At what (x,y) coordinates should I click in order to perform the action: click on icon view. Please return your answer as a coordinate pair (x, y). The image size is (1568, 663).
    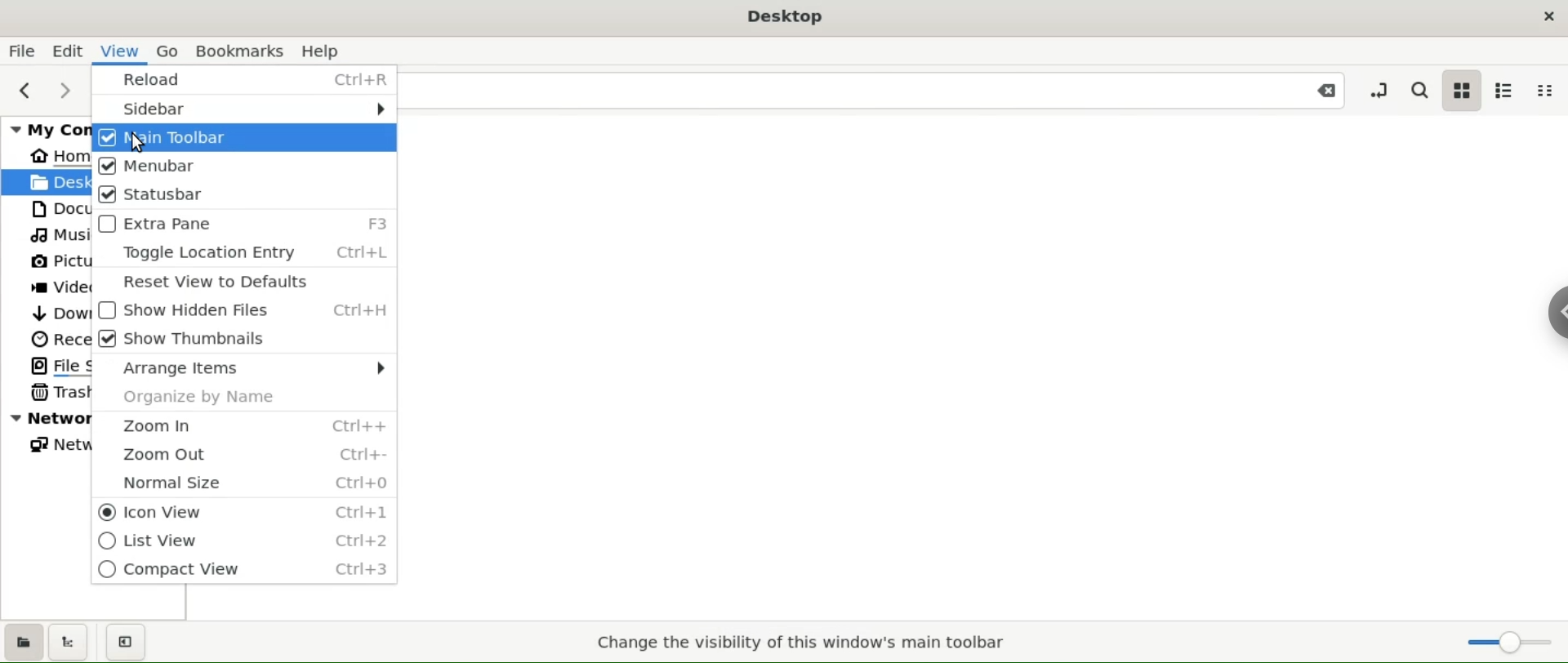
    Looking at the image, I should click on (1463, 93).